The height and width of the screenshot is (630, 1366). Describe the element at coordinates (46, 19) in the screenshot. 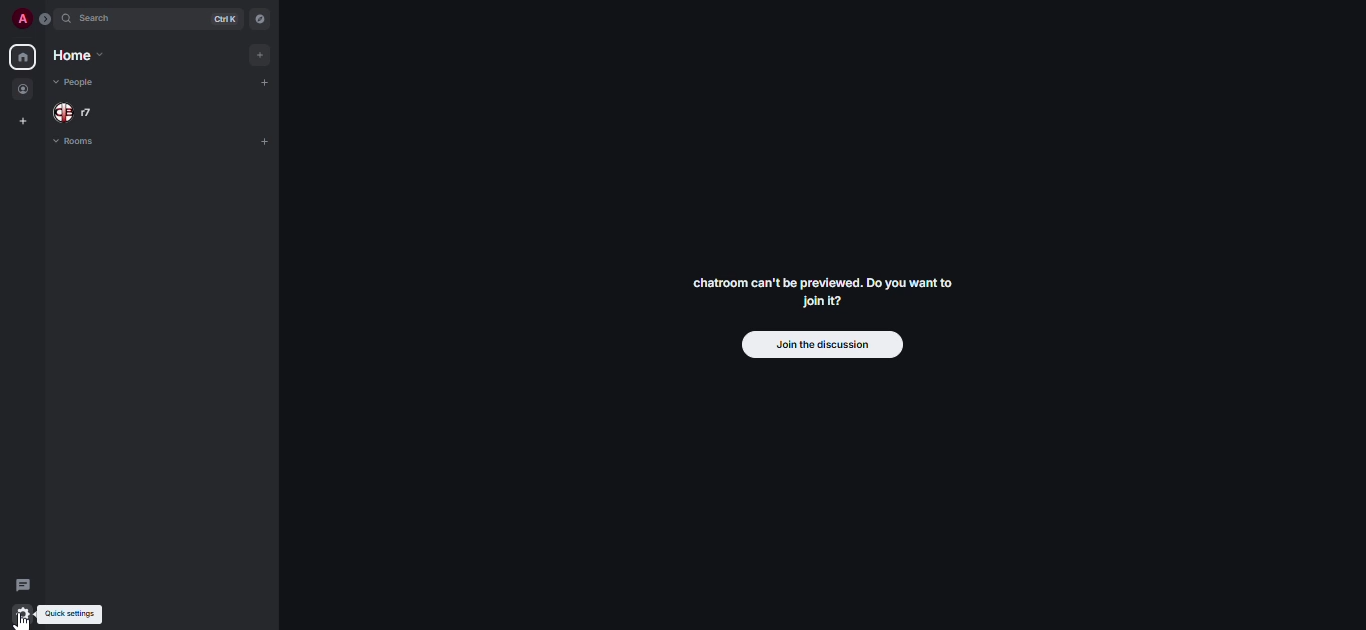

I see `expand` at that location.